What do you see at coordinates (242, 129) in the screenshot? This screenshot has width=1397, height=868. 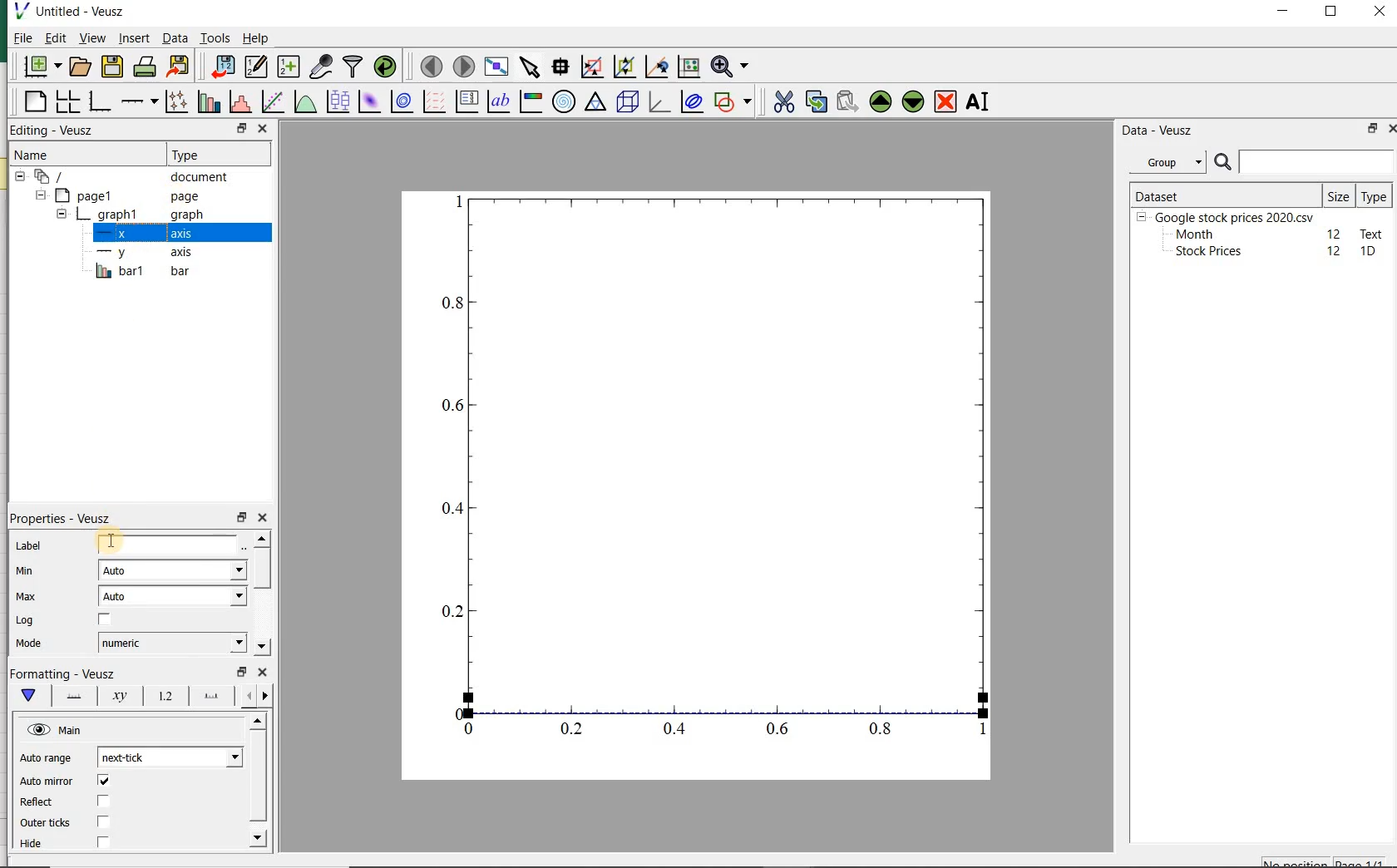 I see `restore` at bounding box center [242, 129].